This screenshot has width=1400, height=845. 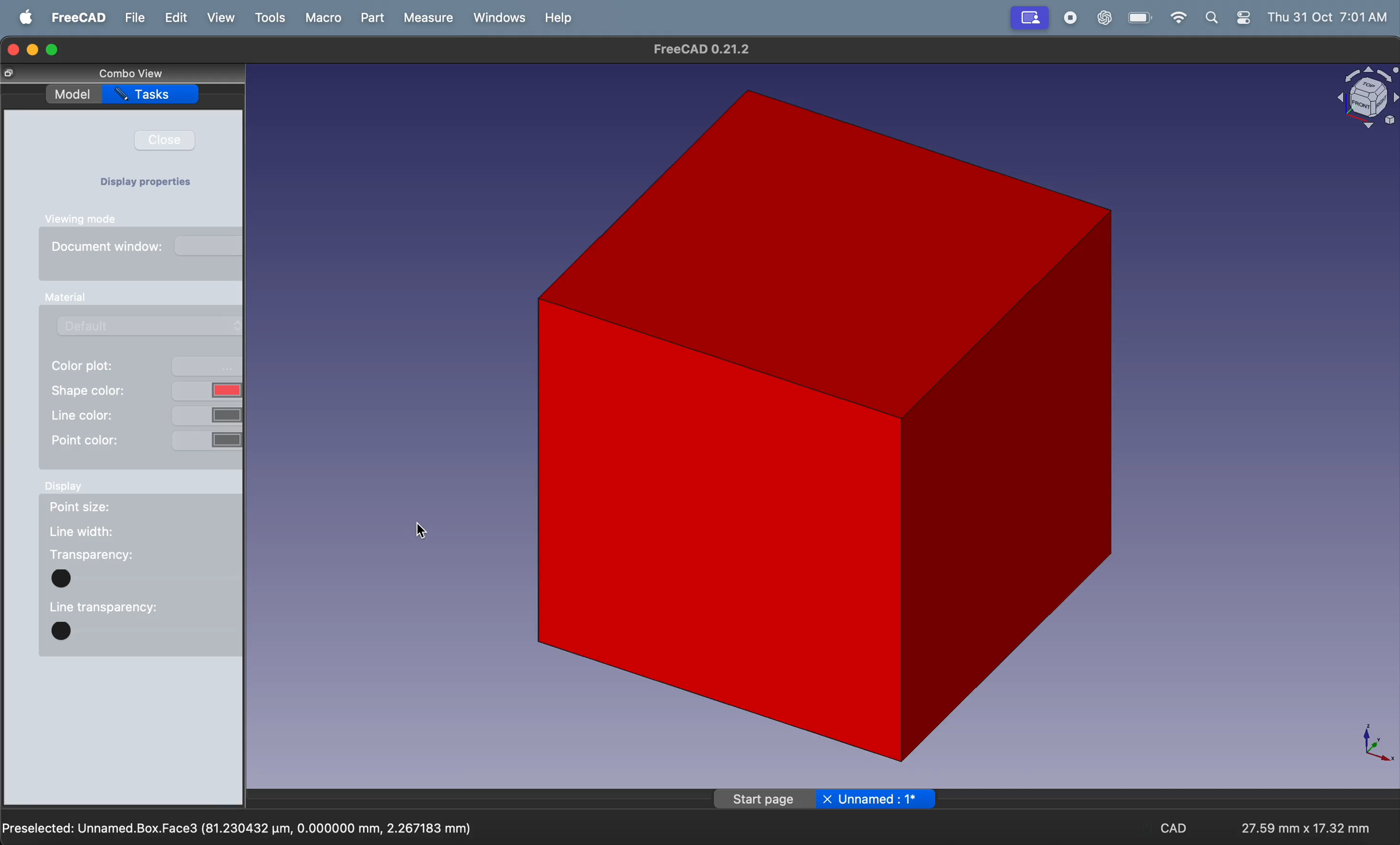 What do you see at coordinates (134, 17) in the screenshot?
I see `file` at bounding box center [134, 17].